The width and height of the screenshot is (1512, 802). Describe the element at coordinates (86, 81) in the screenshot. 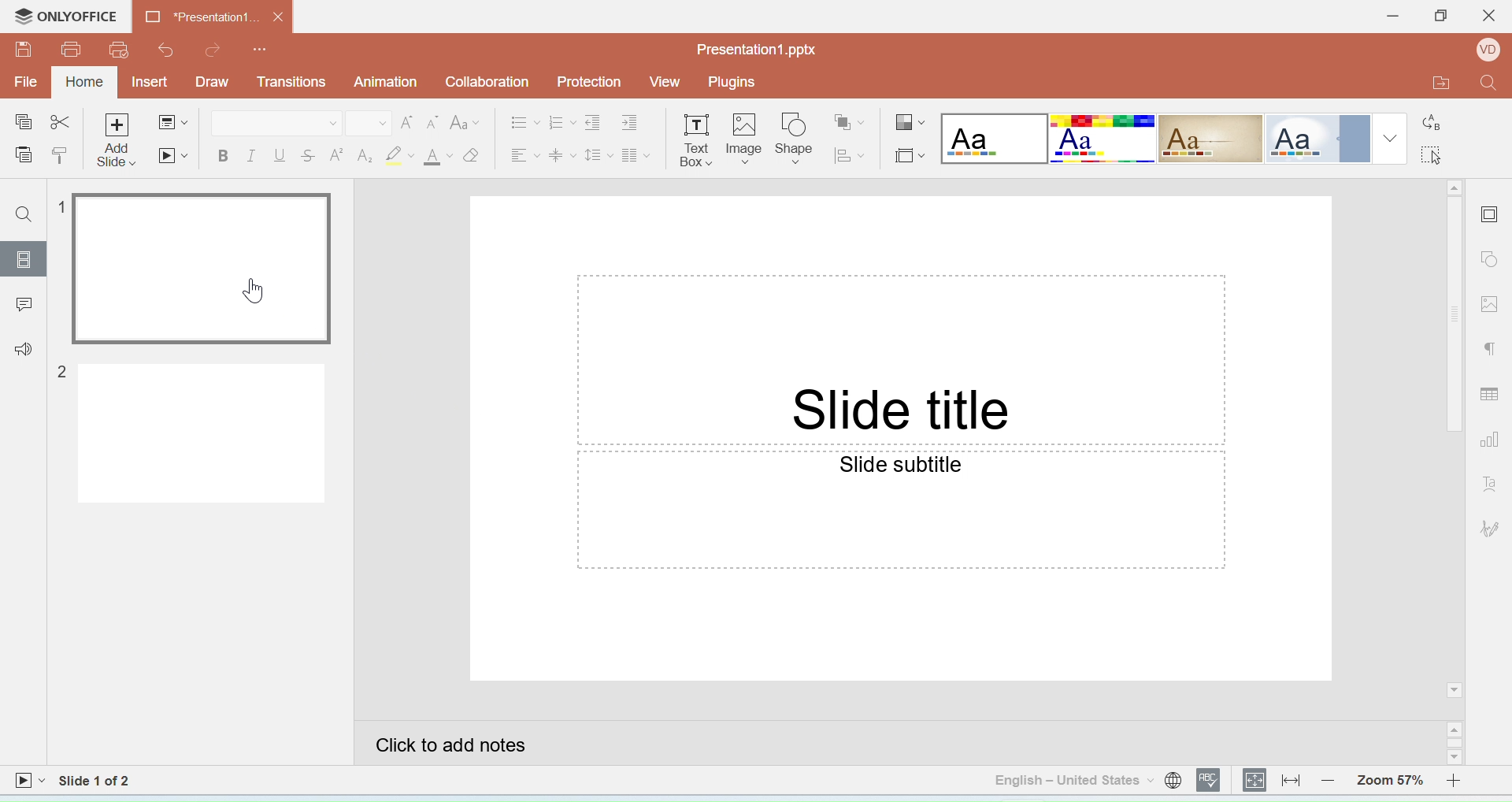

I see `Home` at that location.